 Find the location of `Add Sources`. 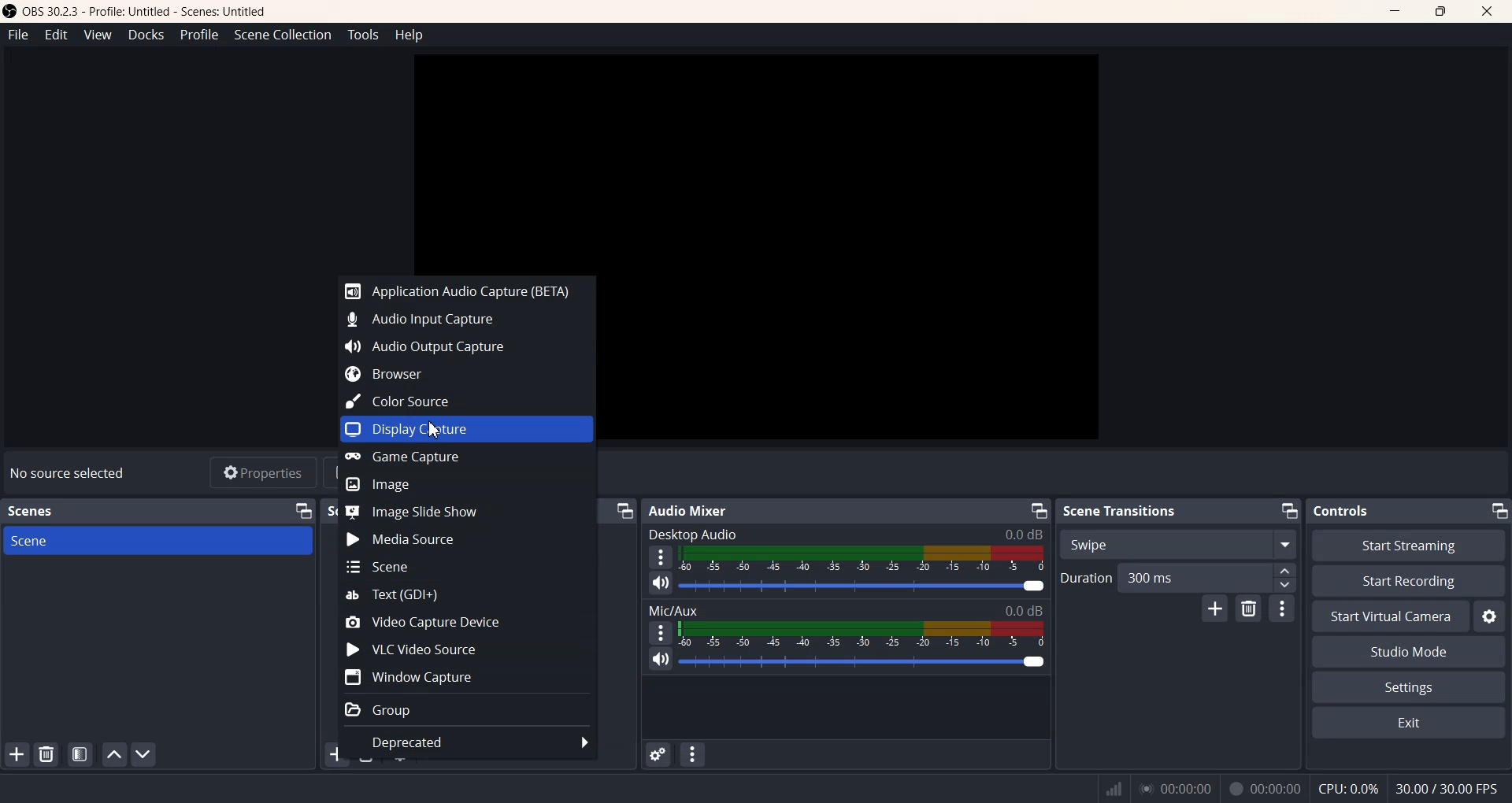

Add Sources is located at coordinates (337, 754).